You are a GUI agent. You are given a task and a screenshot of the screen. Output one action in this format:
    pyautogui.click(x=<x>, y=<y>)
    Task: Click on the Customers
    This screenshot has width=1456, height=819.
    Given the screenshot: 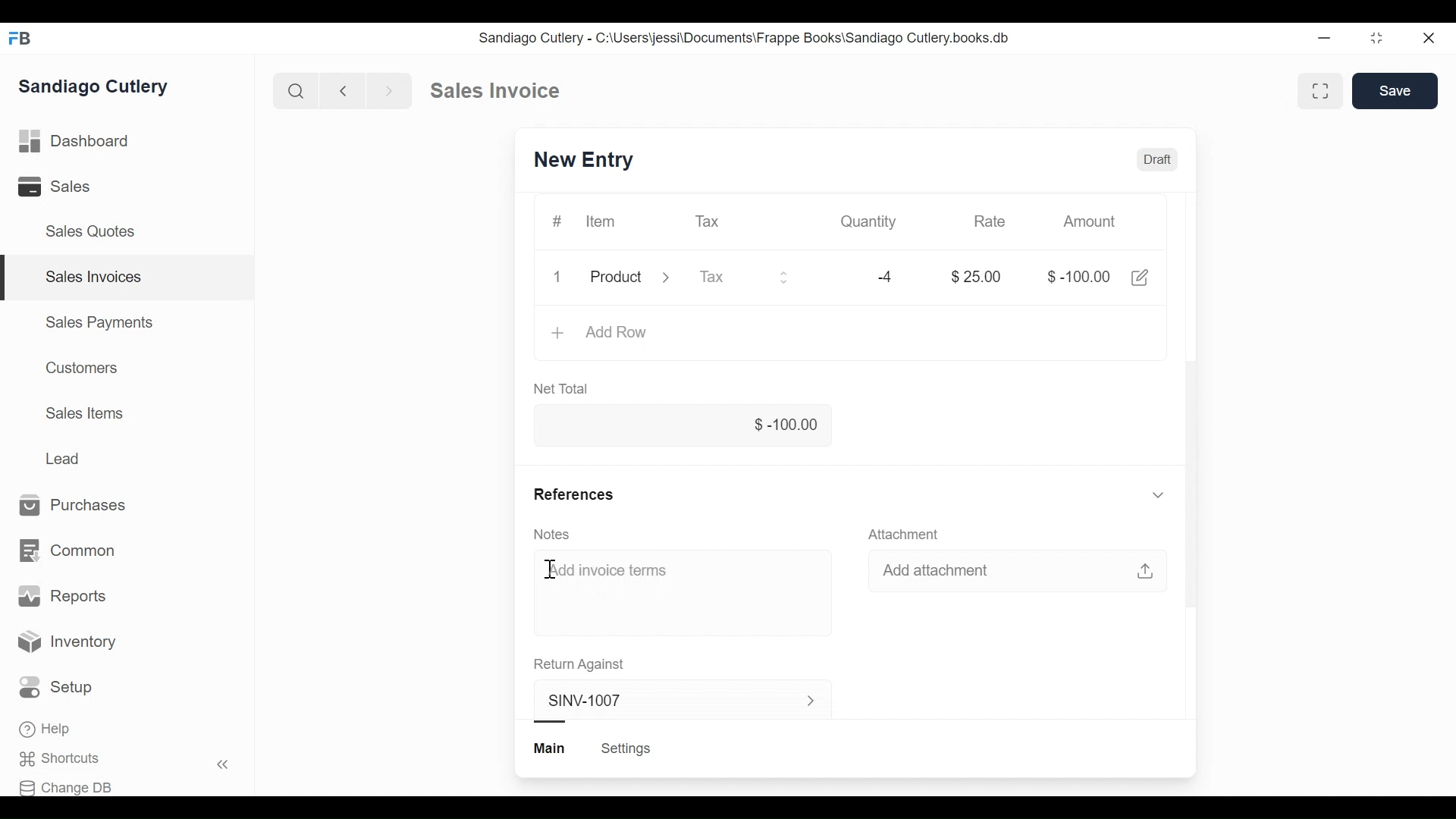 What is the action you would take?
    pyautogui.click(x=83, y=367)
    